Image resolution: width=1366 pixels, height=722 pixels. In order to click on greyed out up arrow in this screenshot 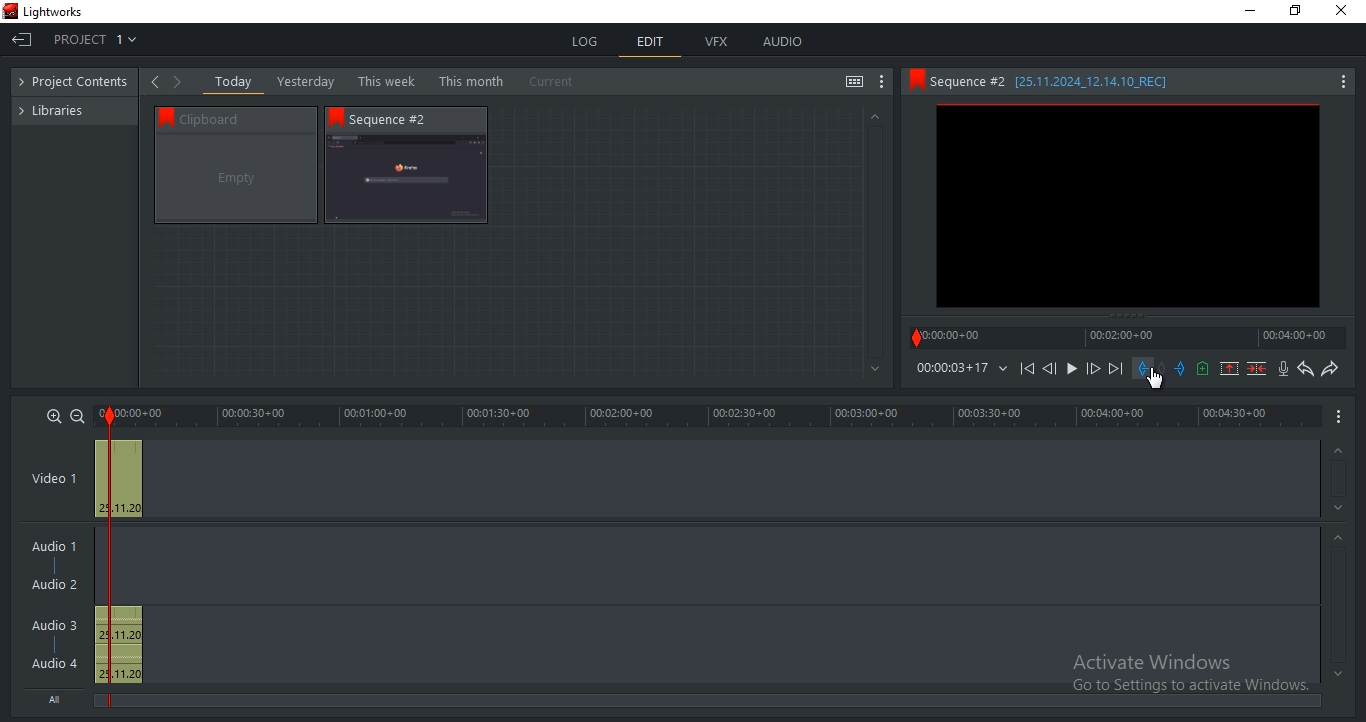, I will do `click(873, 115)`.